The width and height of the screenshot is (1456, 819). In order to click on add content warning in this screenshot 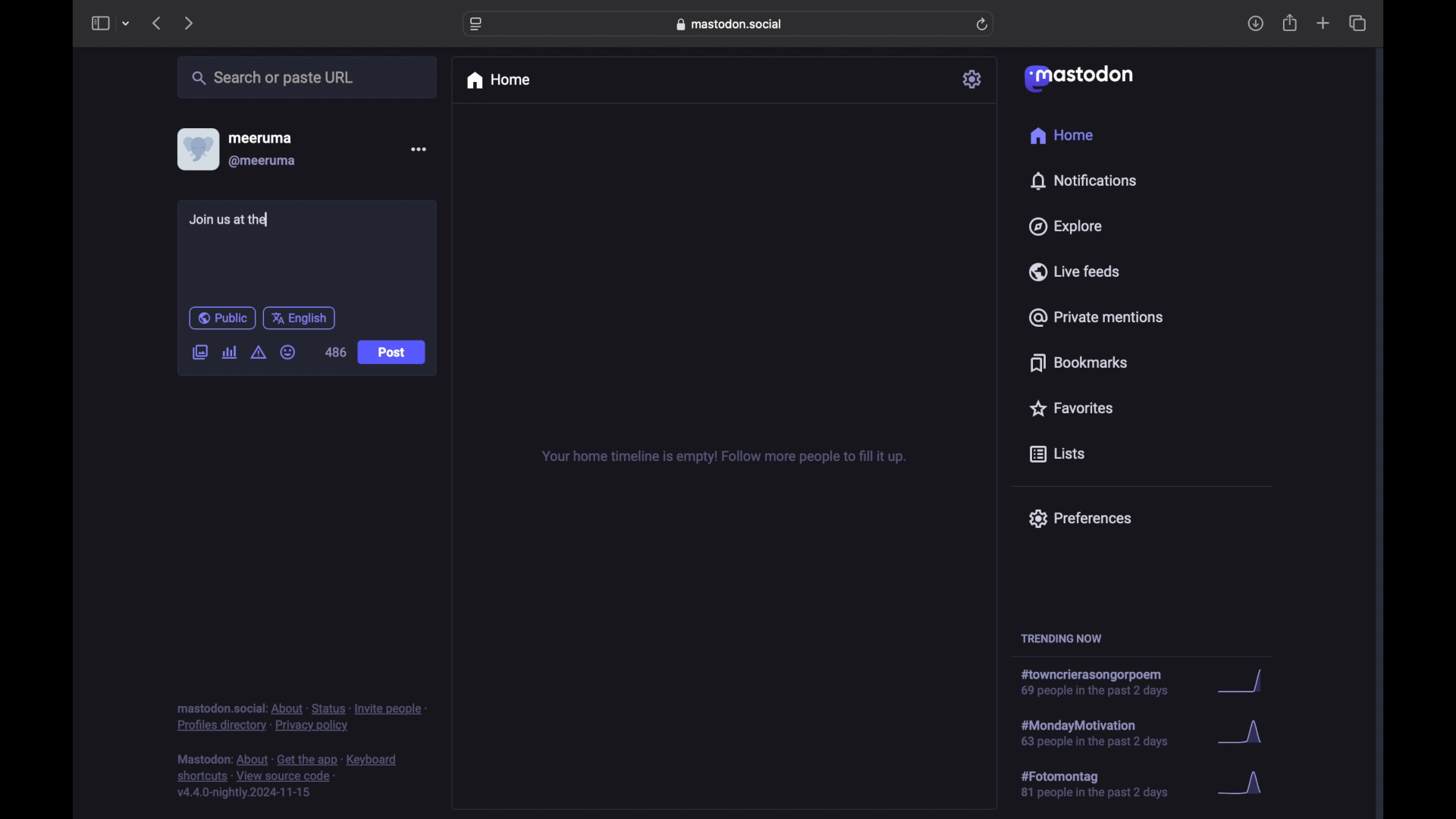, I will do `click(258, 353)`.